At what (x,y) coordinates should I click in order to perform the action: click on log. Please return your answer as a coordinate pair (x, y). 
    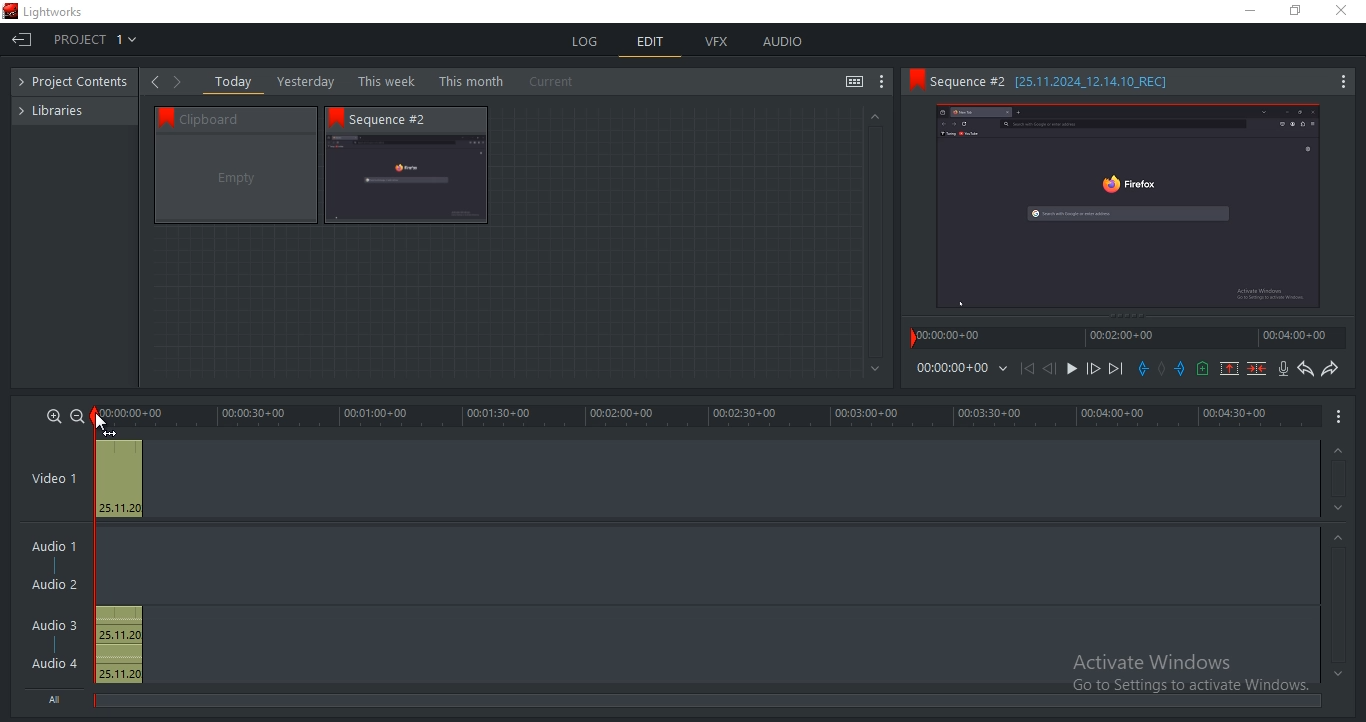
    Looking at the image, I should click on (587, 41).